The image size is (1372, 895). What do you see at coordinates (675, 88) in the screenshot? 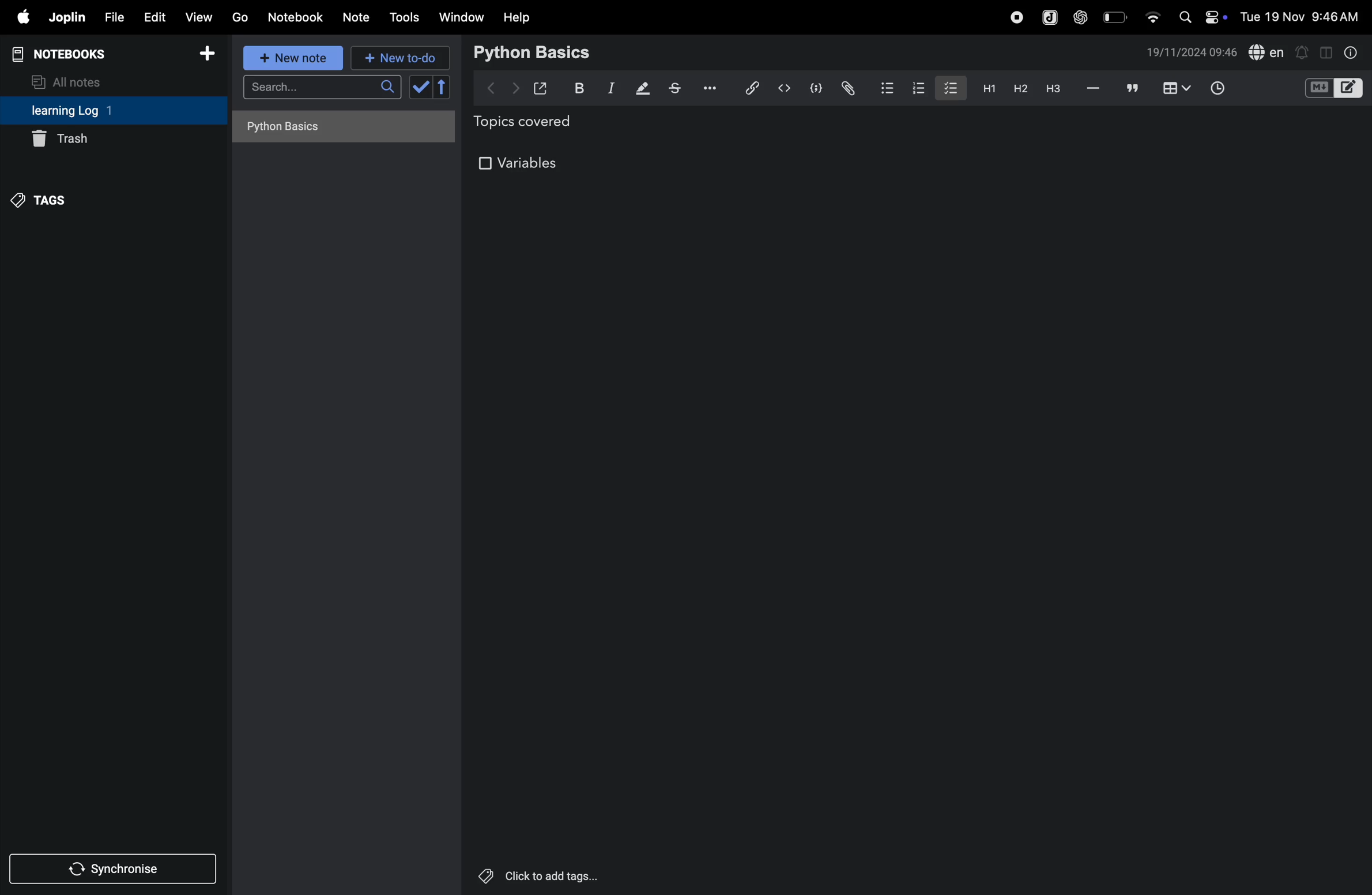
I see `strike through` at bounding box center [675, 88].